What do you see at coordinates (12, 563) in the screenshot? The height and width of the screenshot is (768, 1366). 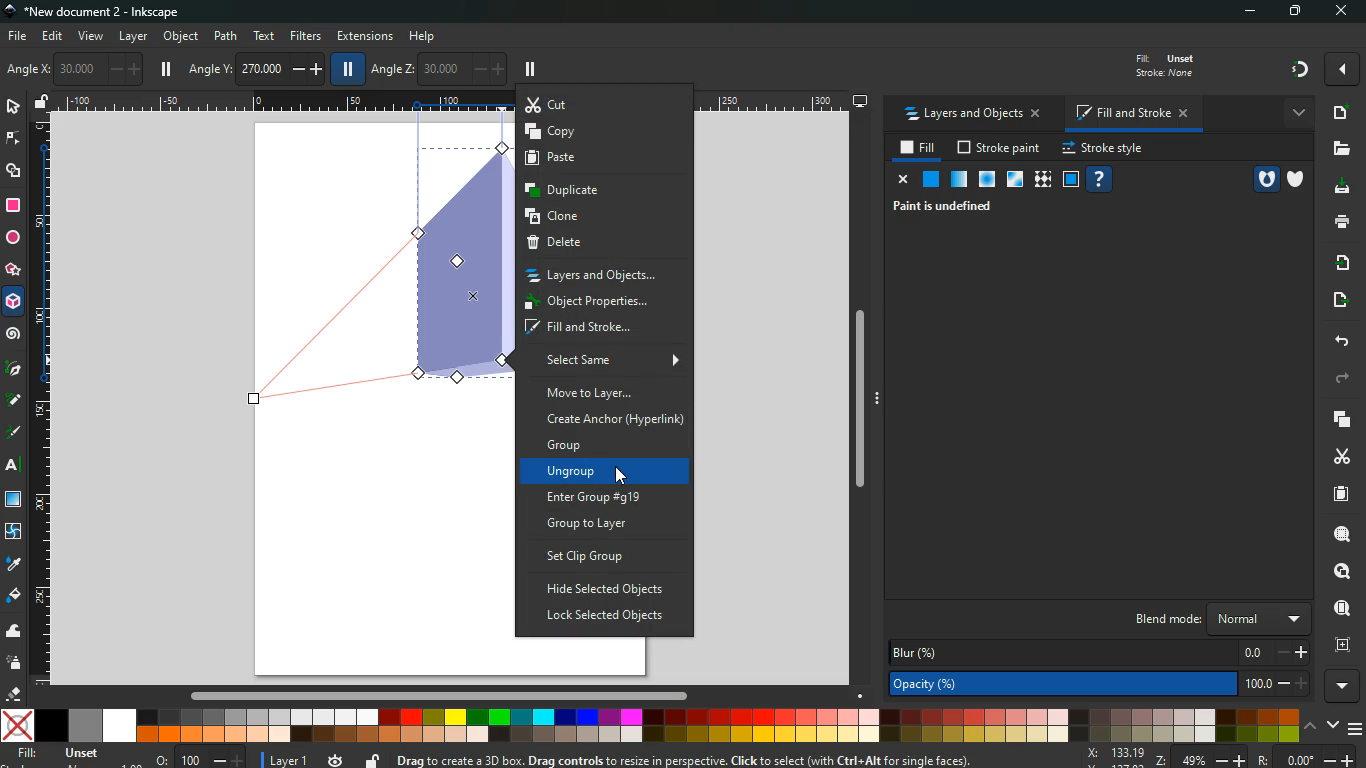 I see `drop` at bounding box center [12, 563].